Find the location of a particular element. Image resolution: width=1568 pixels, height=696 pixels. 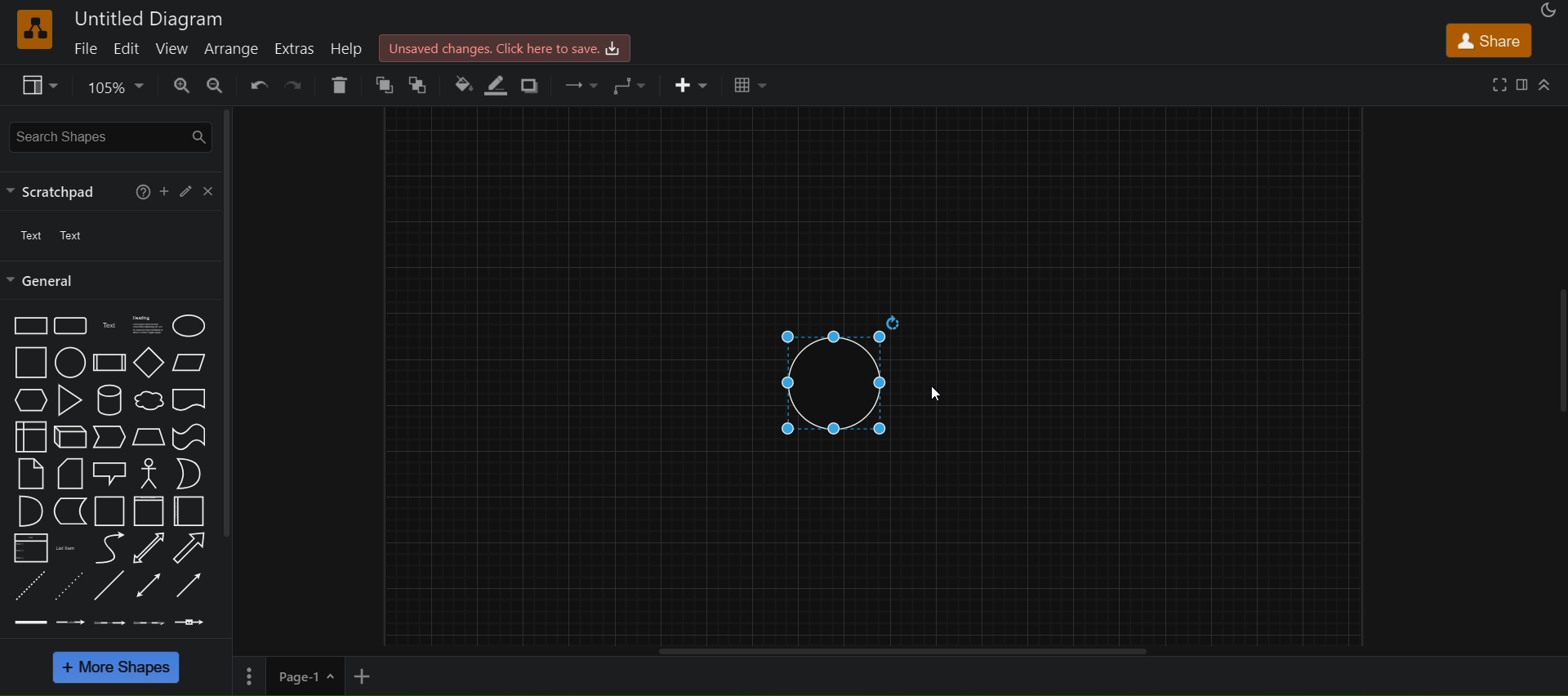

ellipse is located at coordinates (190, 324).